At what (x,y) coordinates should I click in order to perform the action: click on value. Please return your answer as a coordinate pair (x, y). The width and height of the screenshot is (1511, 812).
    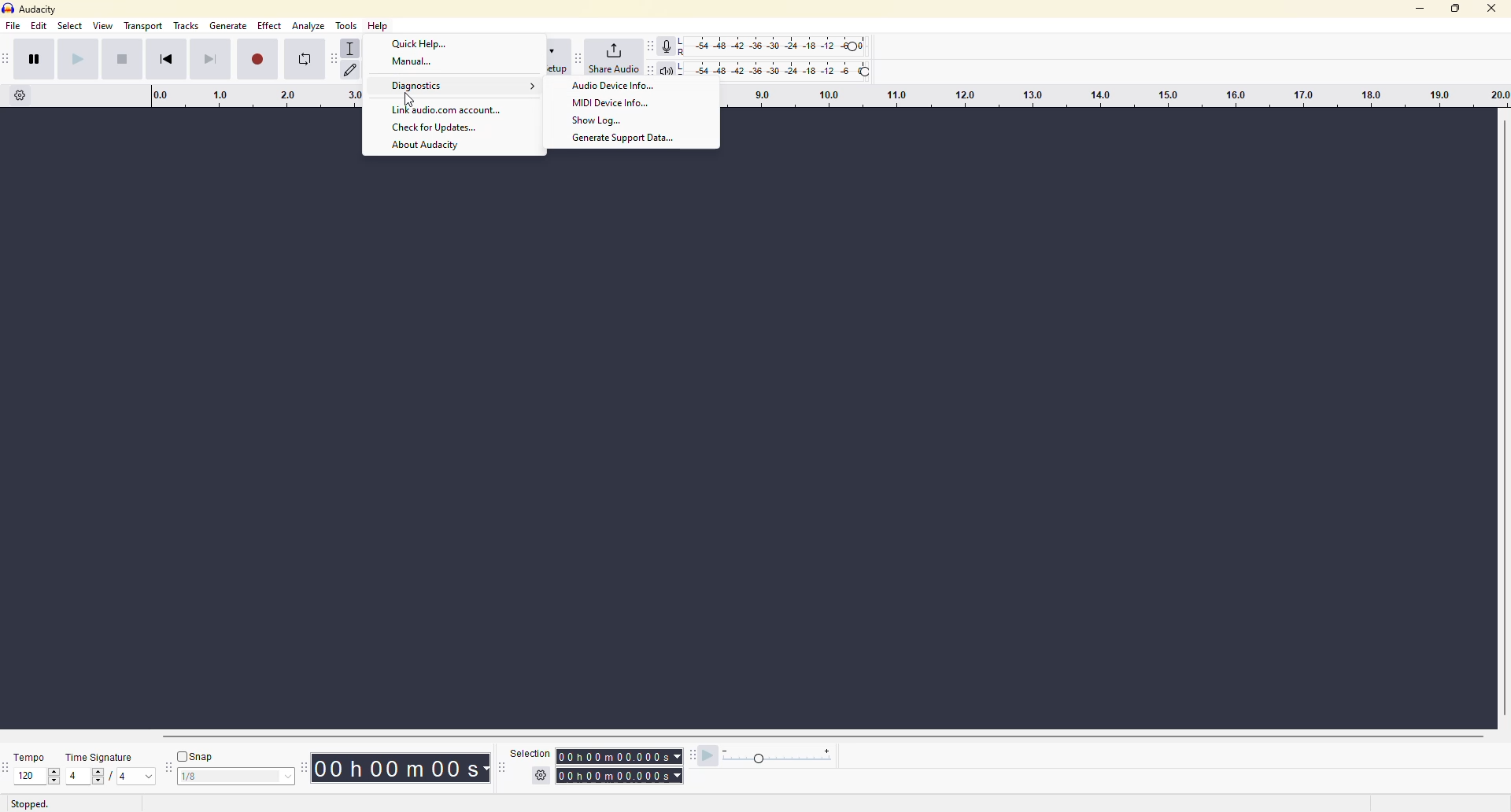
    Looking at the image, I should click on (87, 776).